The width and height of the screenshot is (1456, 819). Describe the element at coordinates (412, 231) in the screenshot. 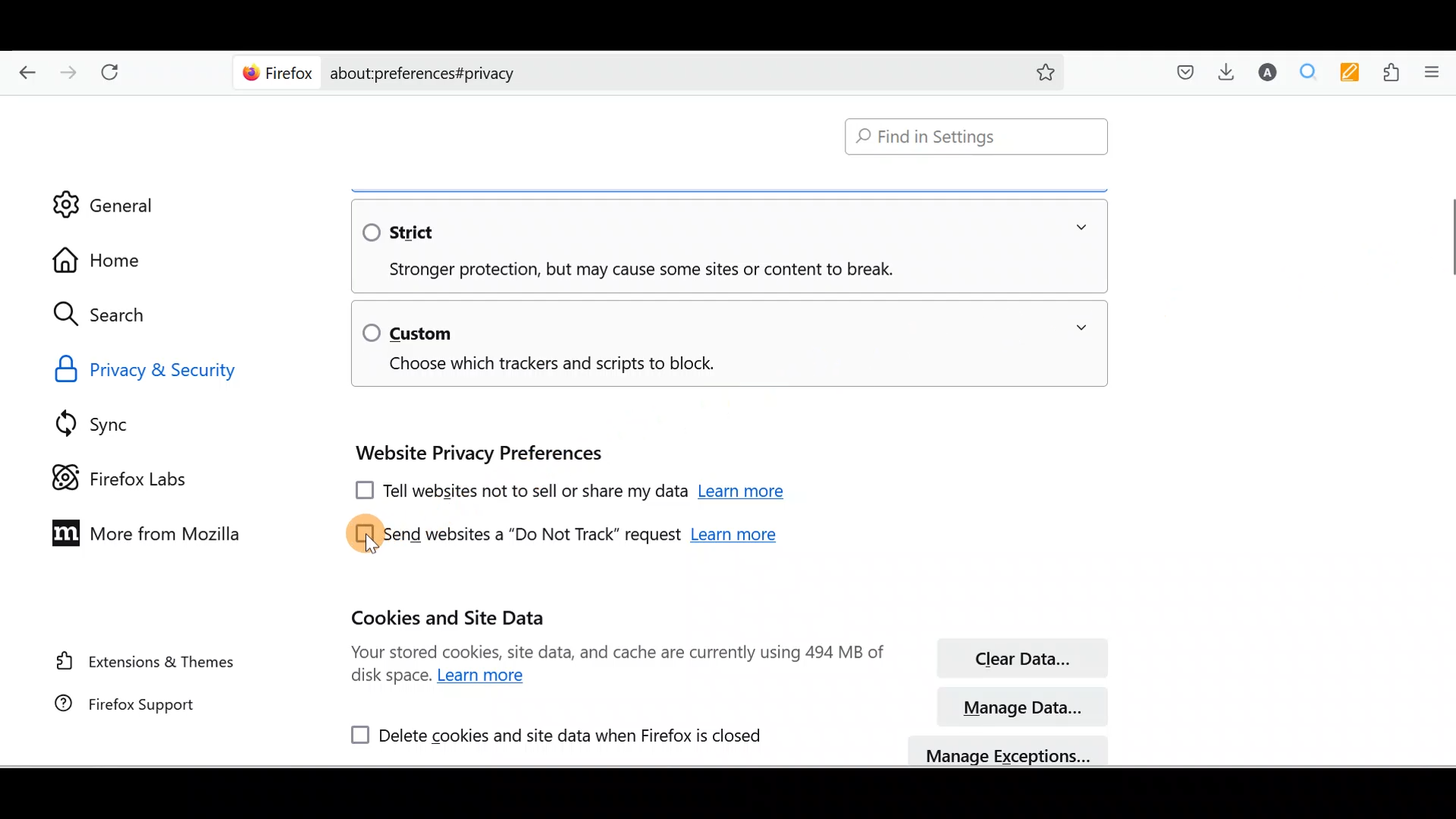

I see `Strict` at that location.